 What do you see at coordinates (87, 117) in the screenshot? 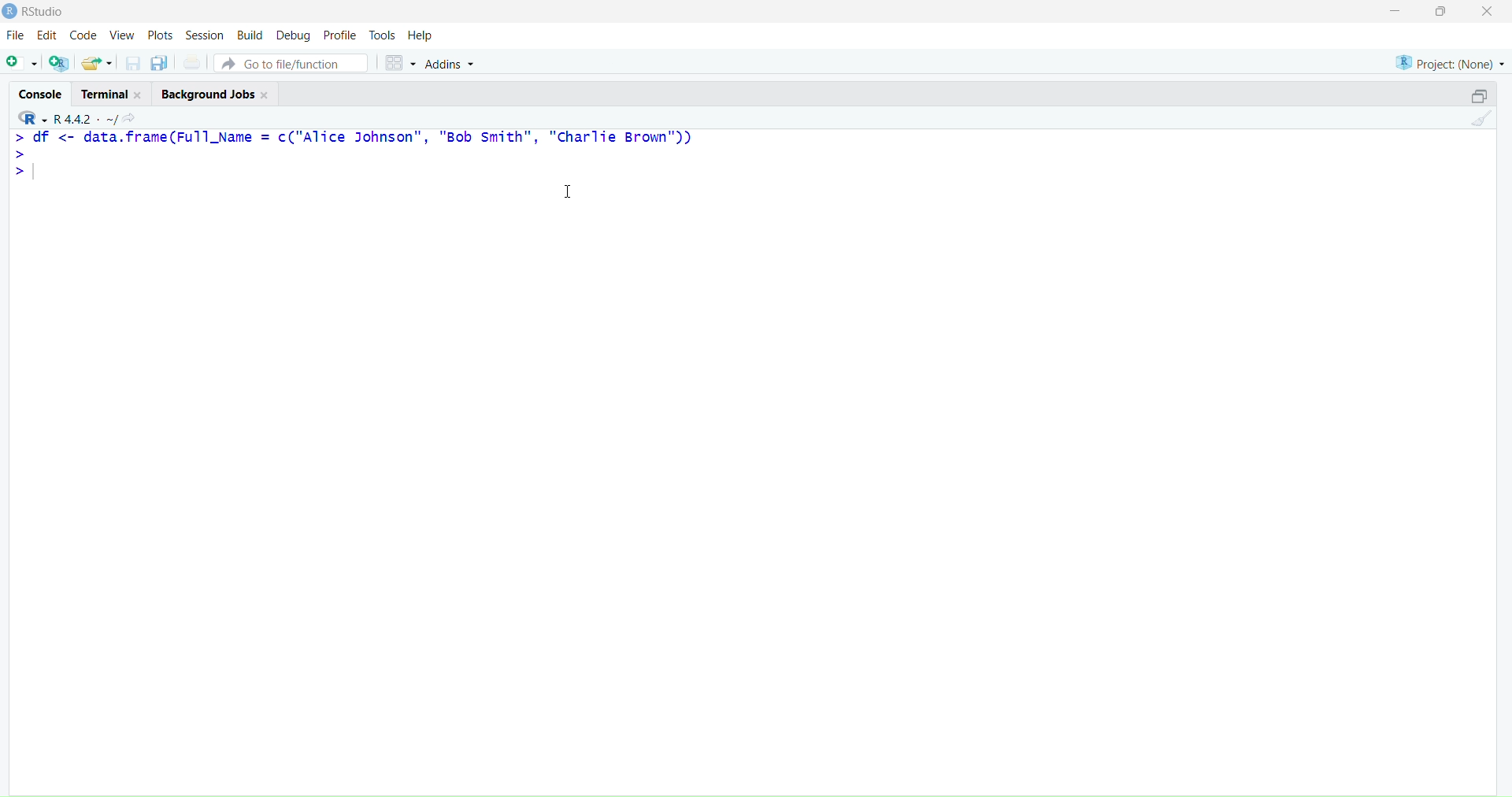
I see `R 4.4.2 ~/` at bounding box center [87, 117].